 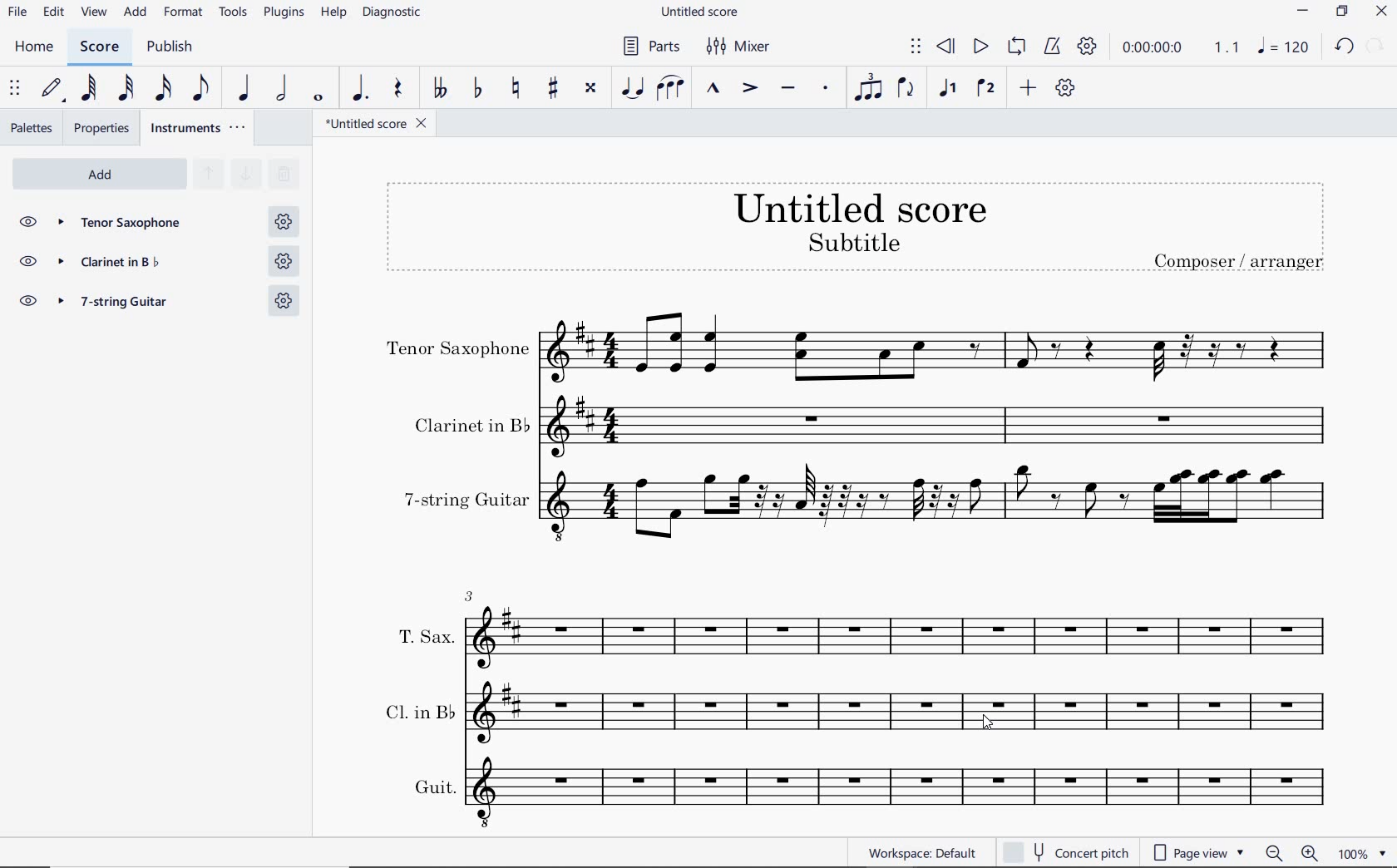 I want to click on PLAY SPEED, so click(x=1177, y=50).